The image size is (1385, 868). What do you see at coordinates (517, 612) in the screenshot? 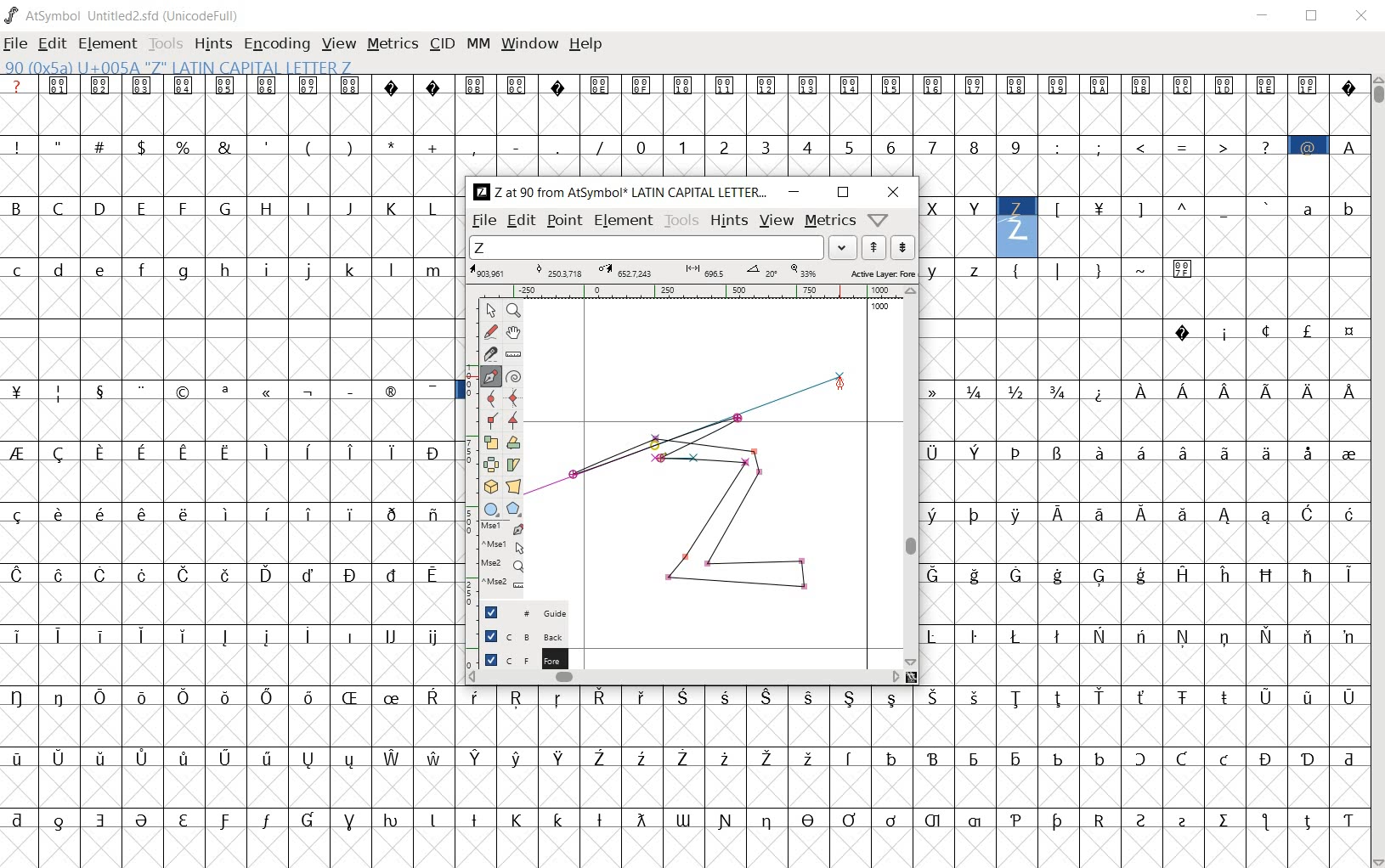
I see `Guide` at bounding box center [517, 612].